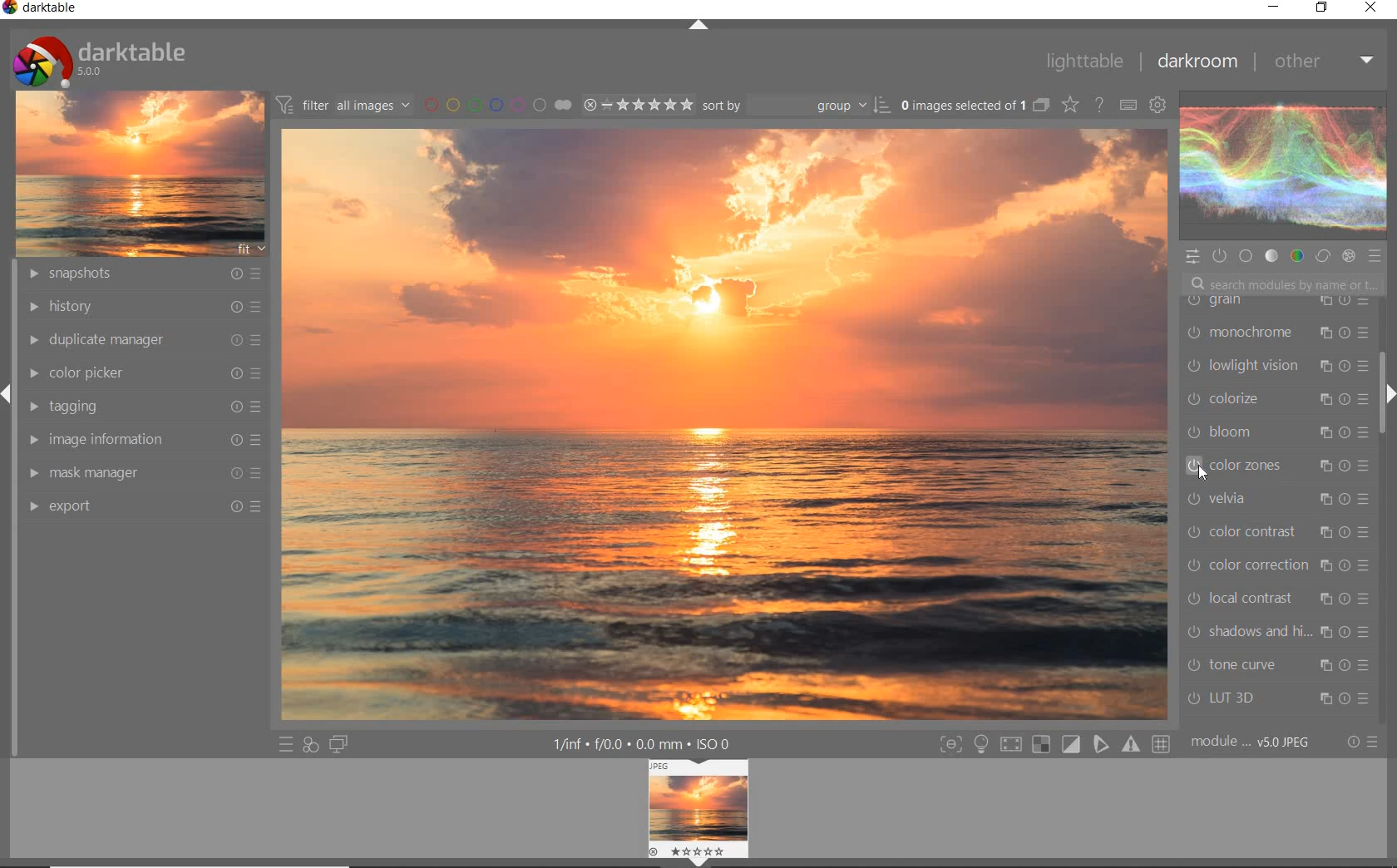 The width and height of the screenshot is (1397, 868). Describe the element at coordinates (143, 307) in the screenshot. I see `HISTORY` at that location.